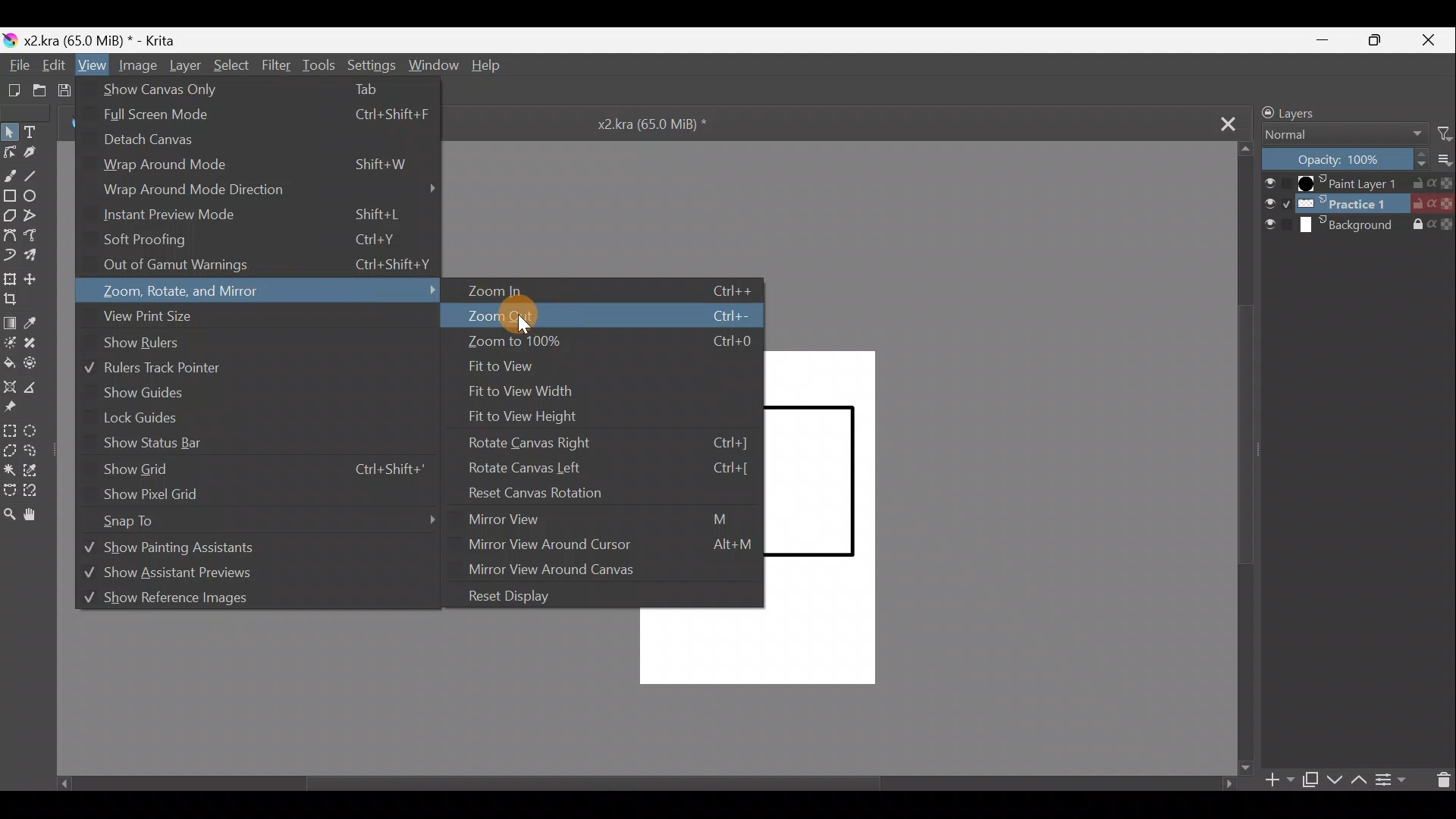 This screenshot has height=819, width=1456. I want to click on Freehand path tool, so click(37, 235).